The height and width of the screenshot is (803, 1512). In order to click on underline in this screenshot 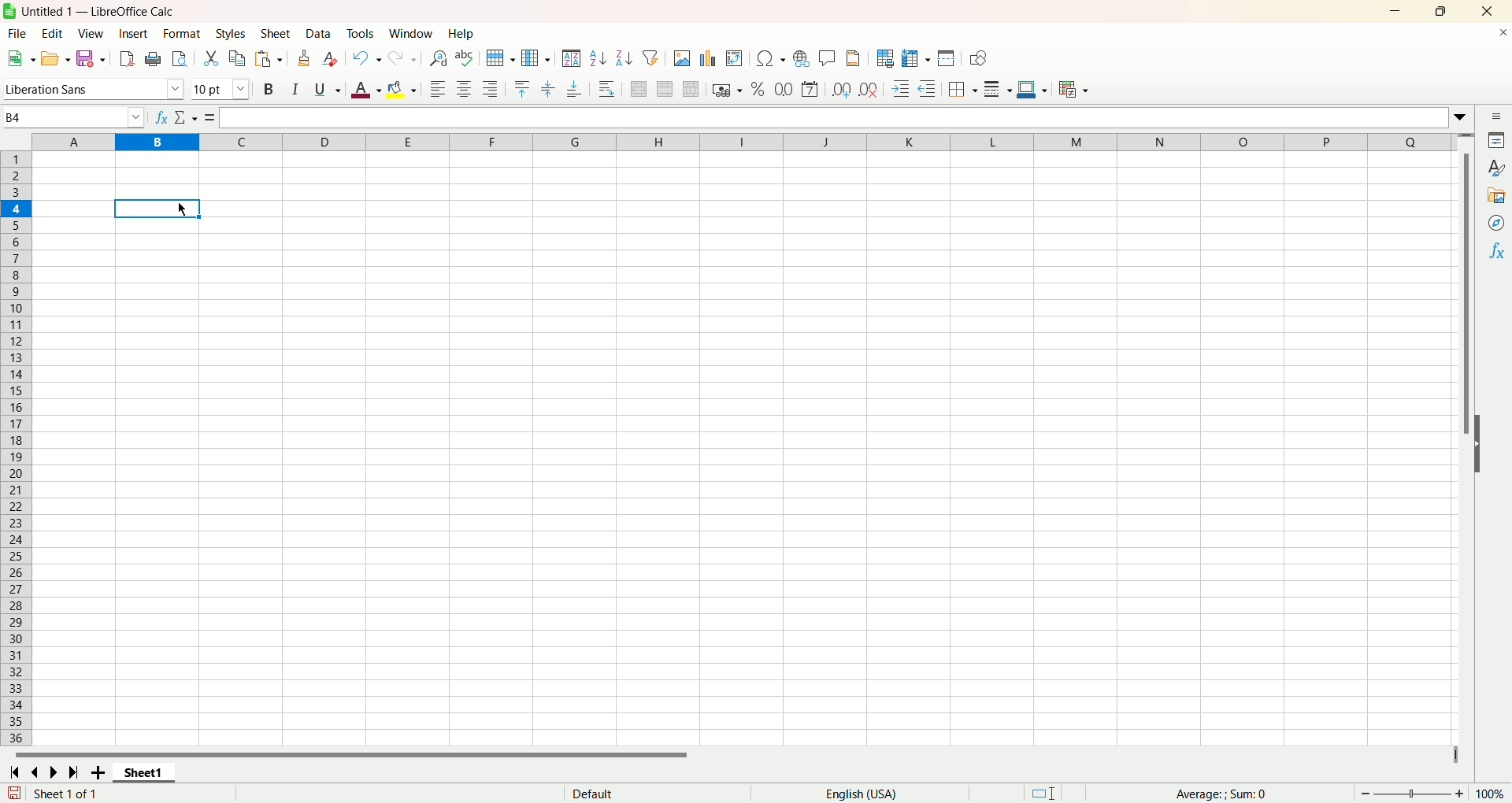, I will do `click(324, 92)`.